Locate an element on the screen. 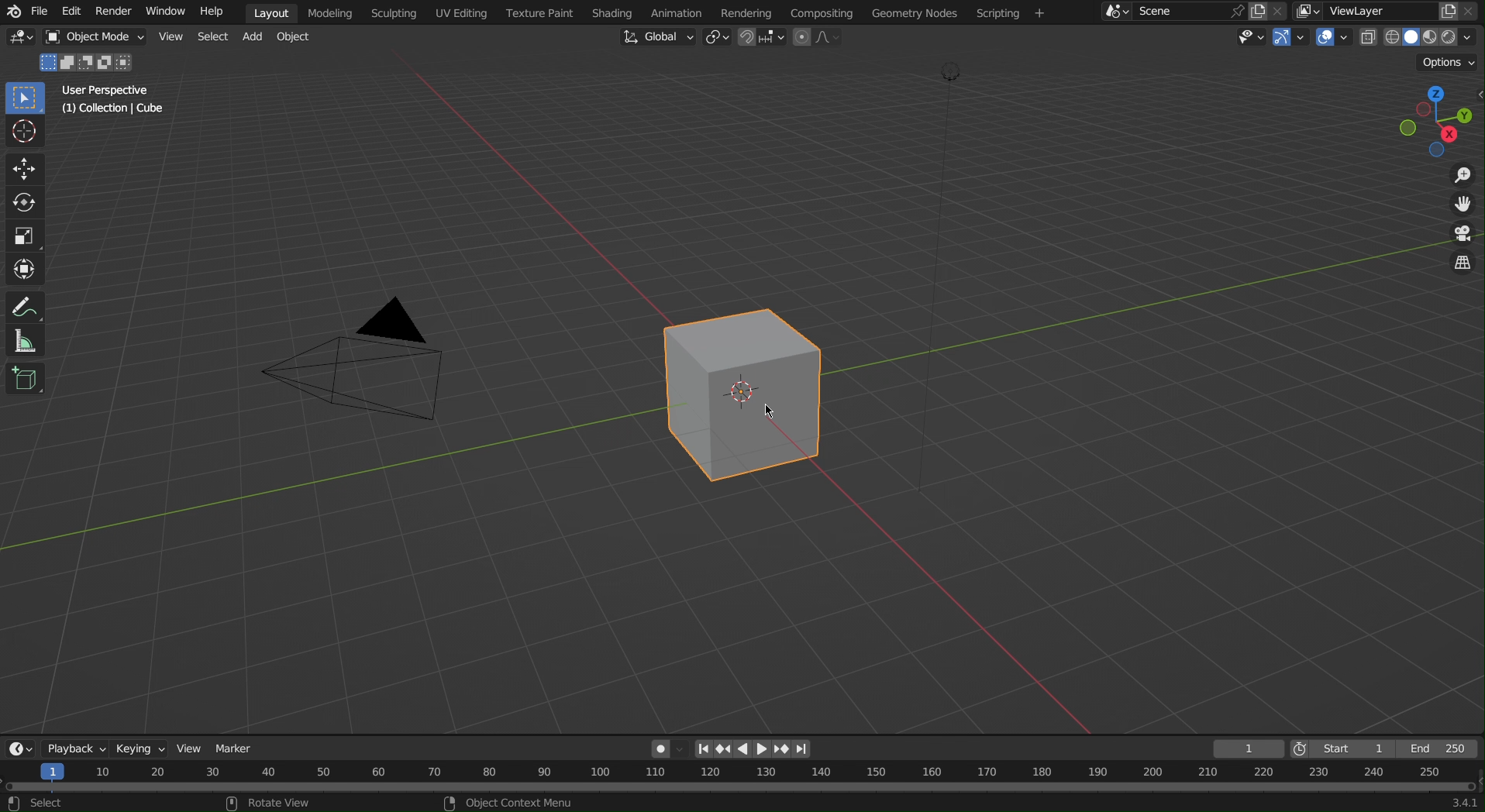 The width and height of the screenshot is (1485, 812). Add is located at coordinates (253, 37).